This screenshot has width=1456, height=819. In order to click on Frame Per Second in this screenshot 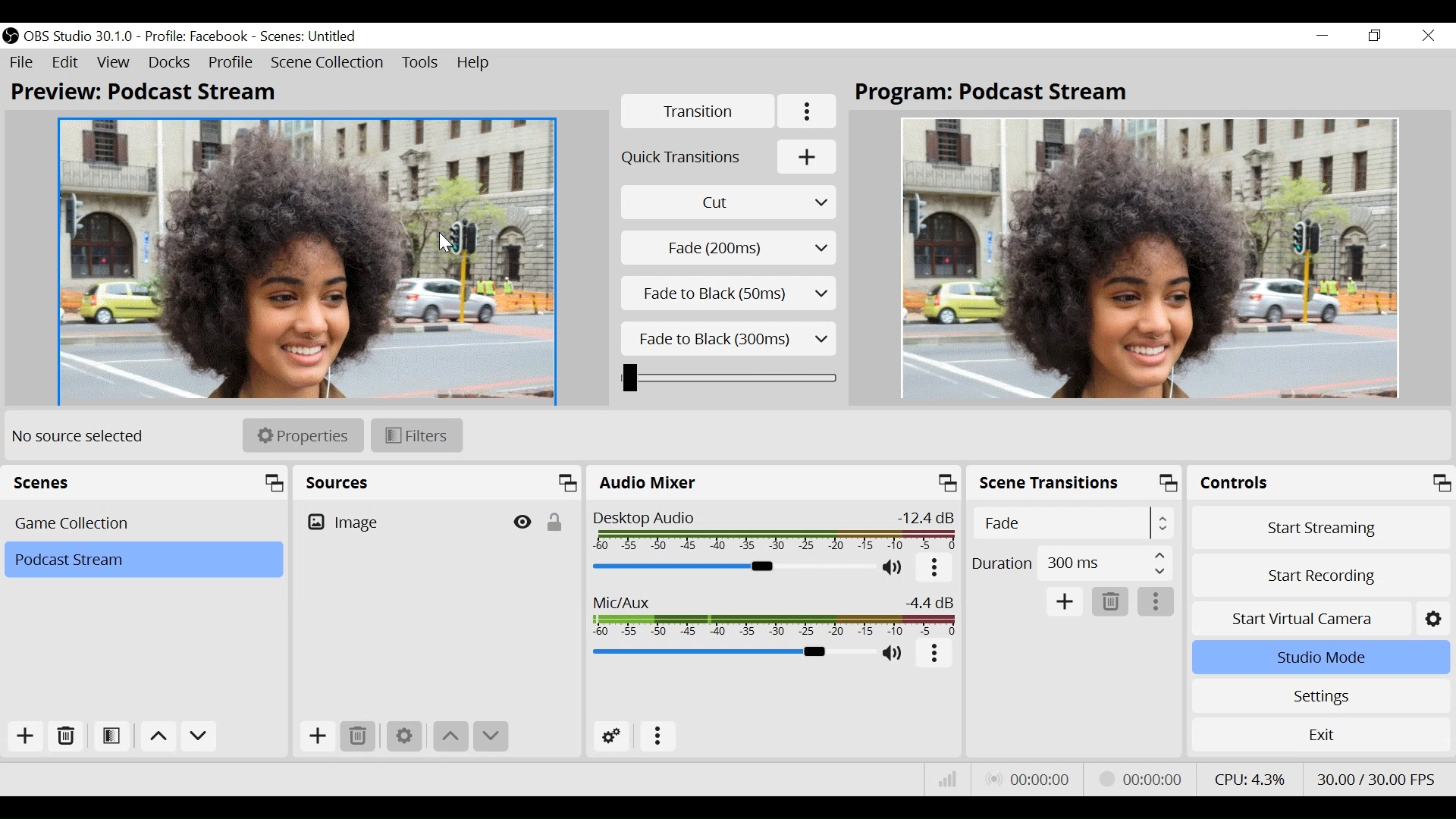, I will do `click(1375, 777)`.